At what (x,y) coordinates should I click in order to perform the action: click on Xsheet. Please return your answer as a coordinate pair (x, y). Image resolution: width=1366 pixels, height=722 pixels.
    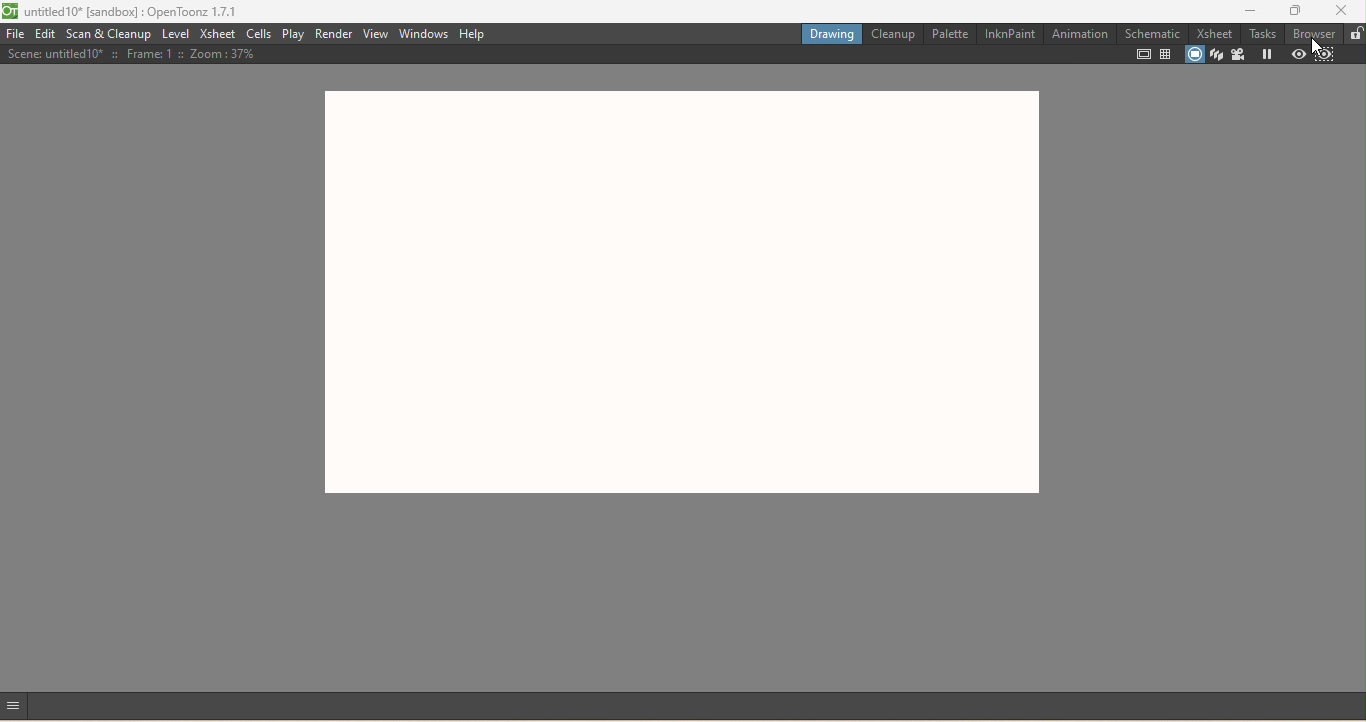
    Looking at the image, I should click on (219, 36).